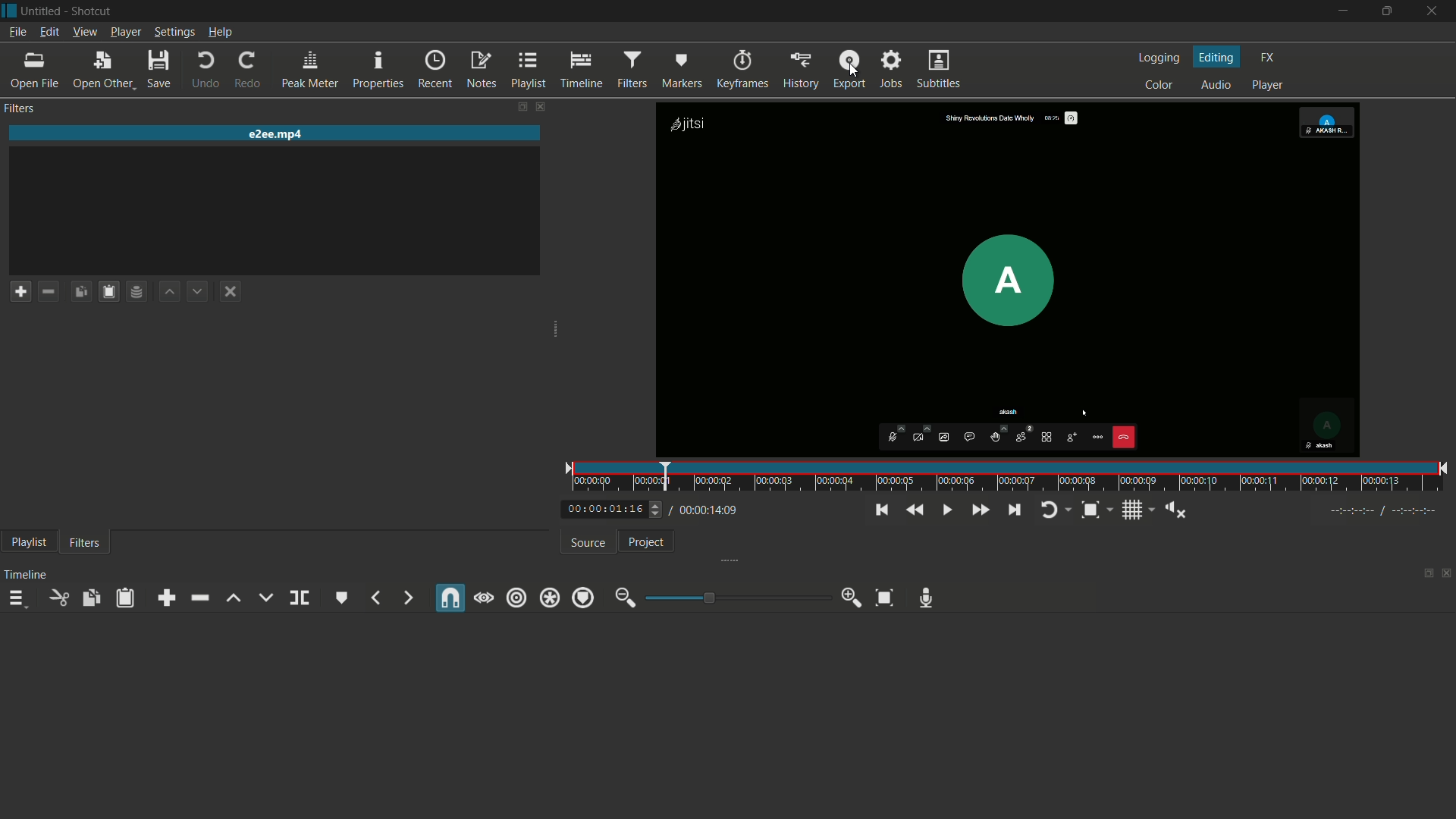 The image size is (1456, 819). I want to click on remove filter, so click(49, 290).